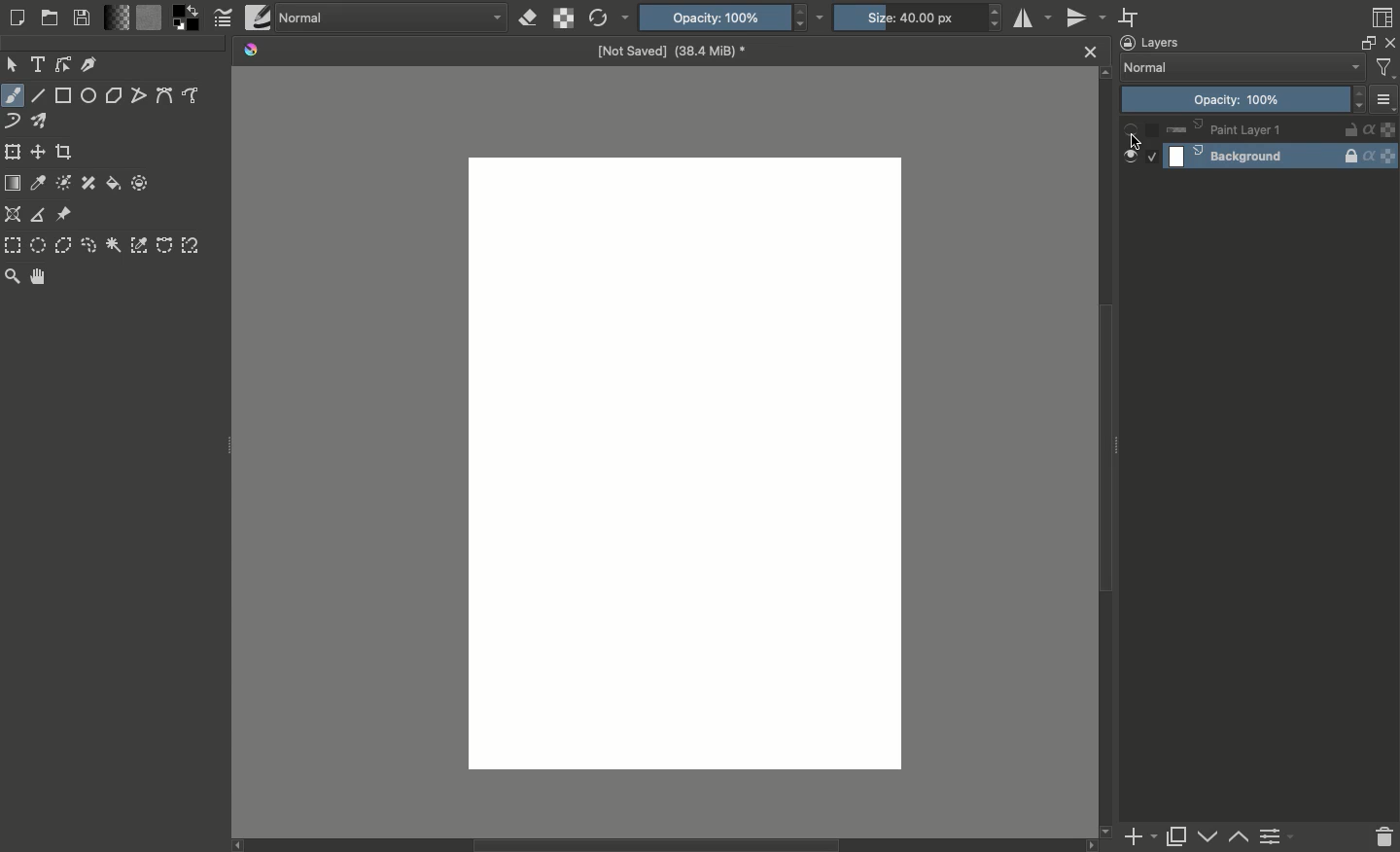  Describe the element at coordinates (1239, 837) in the screenshot. I see `Lower layer` at that location.